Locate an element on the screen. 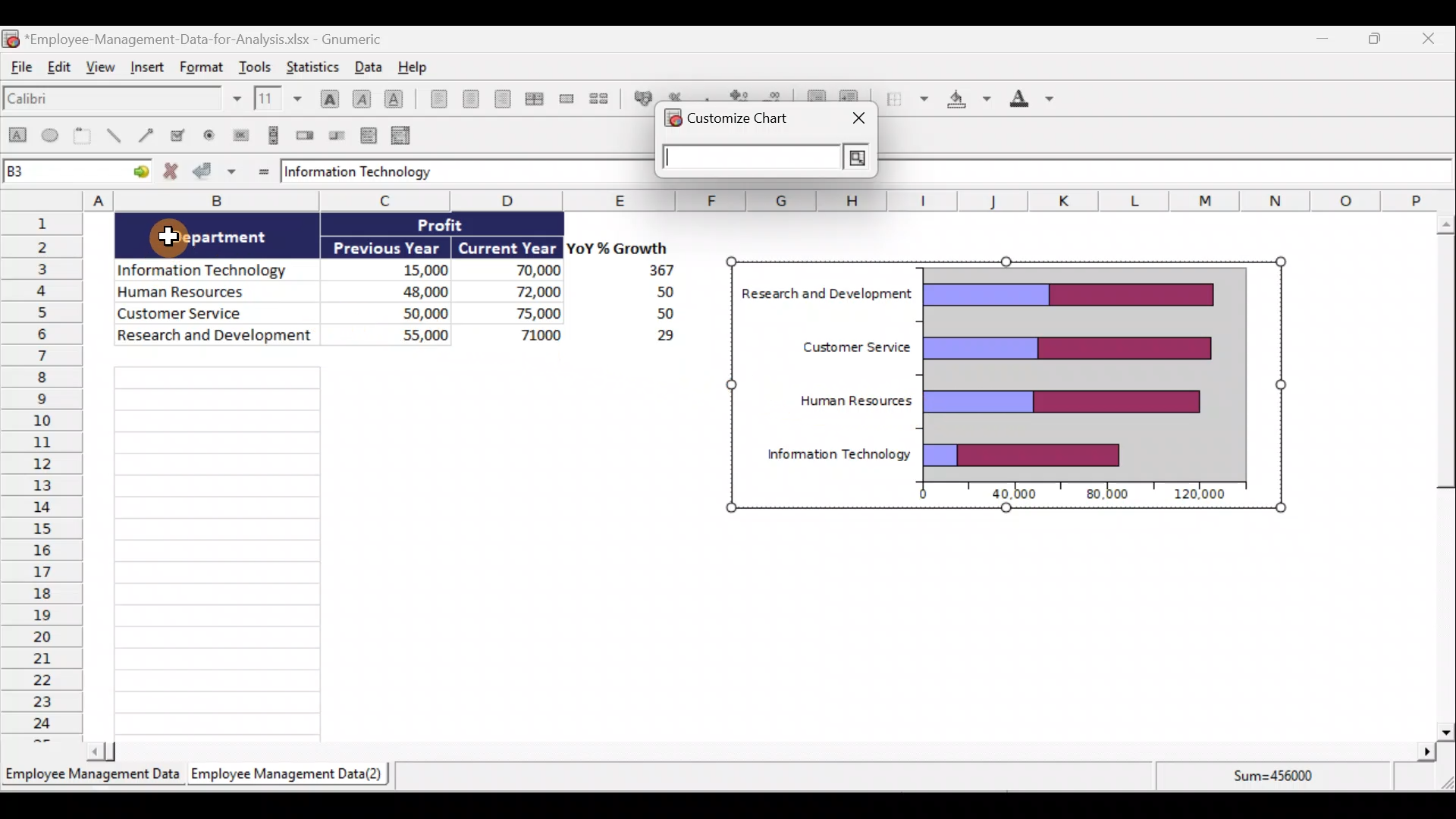  Gnumeric logo is located at coordinates (672, 121).